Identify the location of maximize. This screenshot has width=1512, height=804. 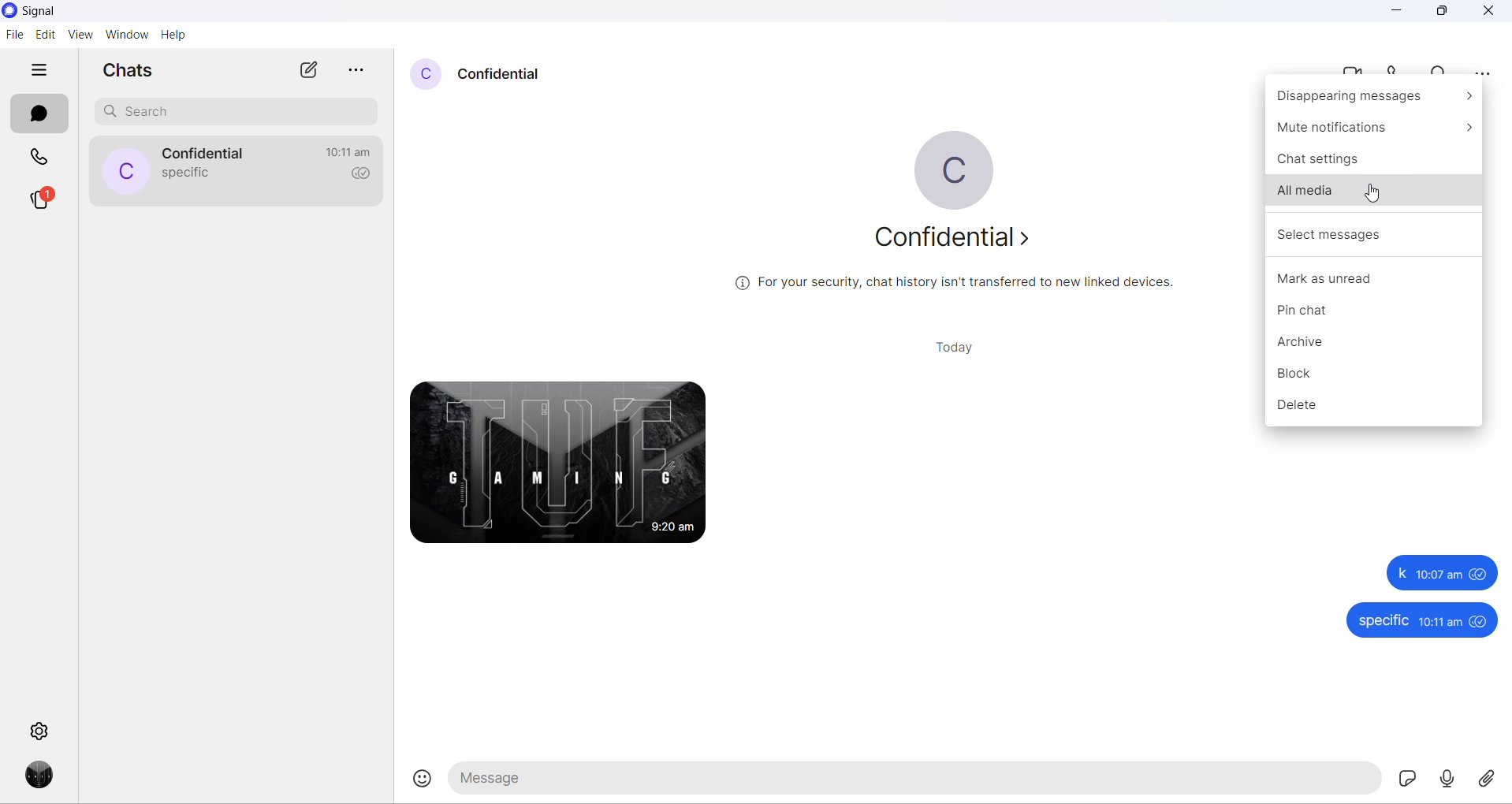
(1441, 13).